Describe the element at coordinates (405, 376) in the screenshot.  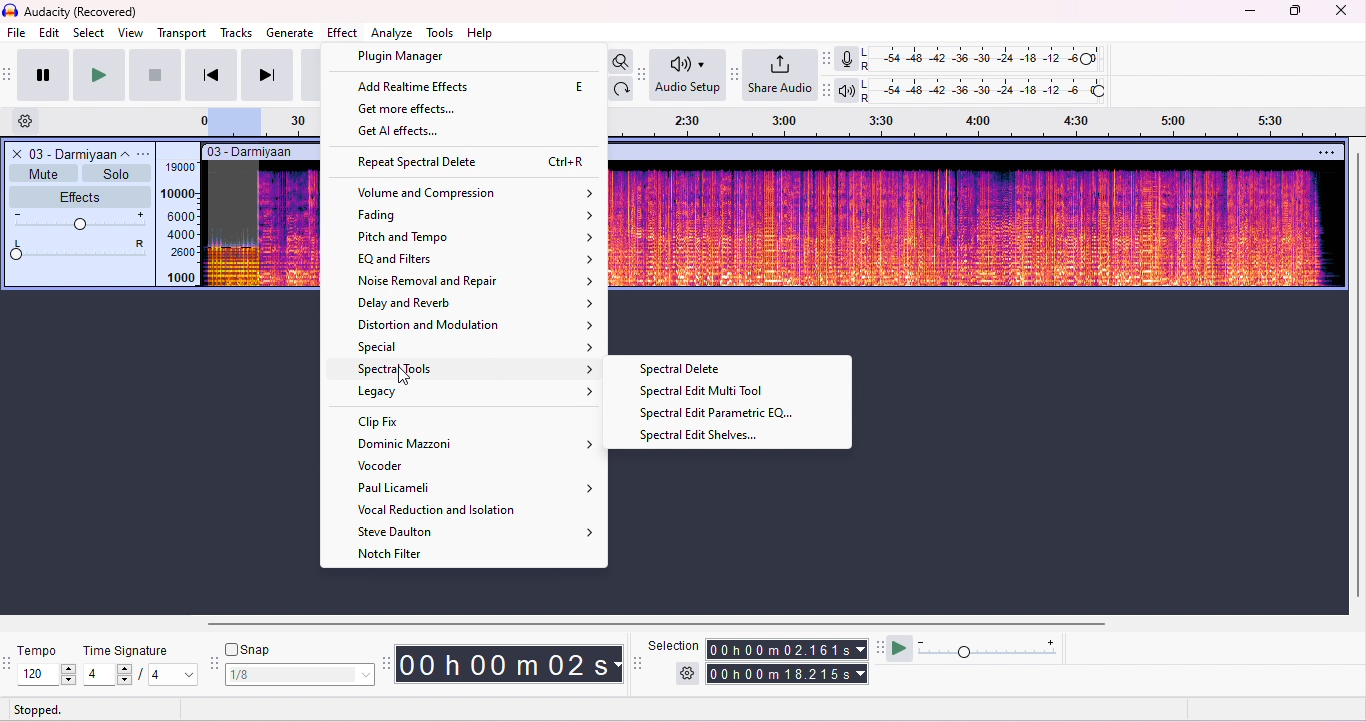
I see `cursor movement` at that location.